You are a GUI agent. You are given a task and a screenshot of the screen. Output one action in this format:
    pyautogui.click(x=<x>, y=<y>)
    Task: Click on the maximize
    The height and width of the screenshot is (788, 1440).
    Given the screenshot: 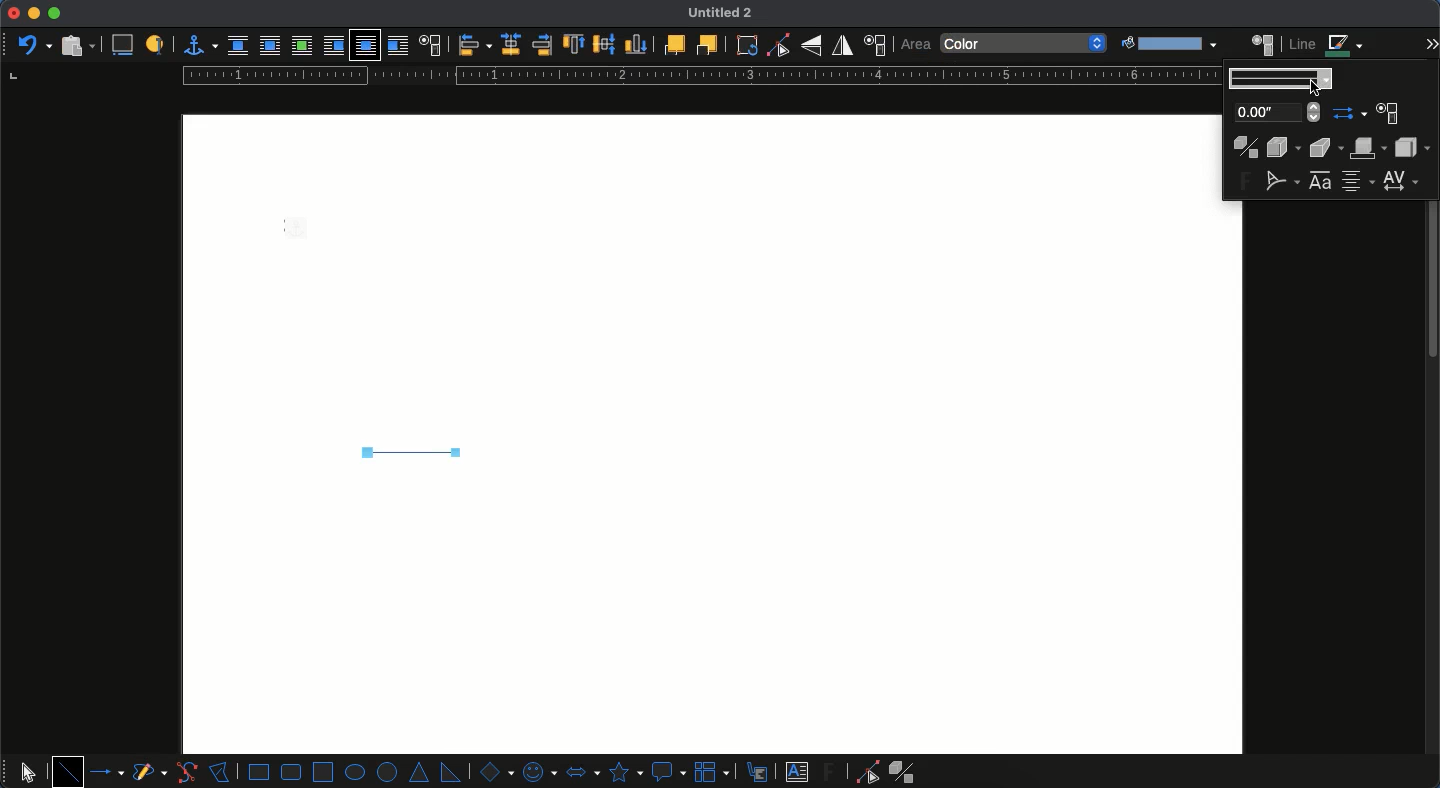 What is the action you would take?
    pyautogui.click(x=54, y=14)
    